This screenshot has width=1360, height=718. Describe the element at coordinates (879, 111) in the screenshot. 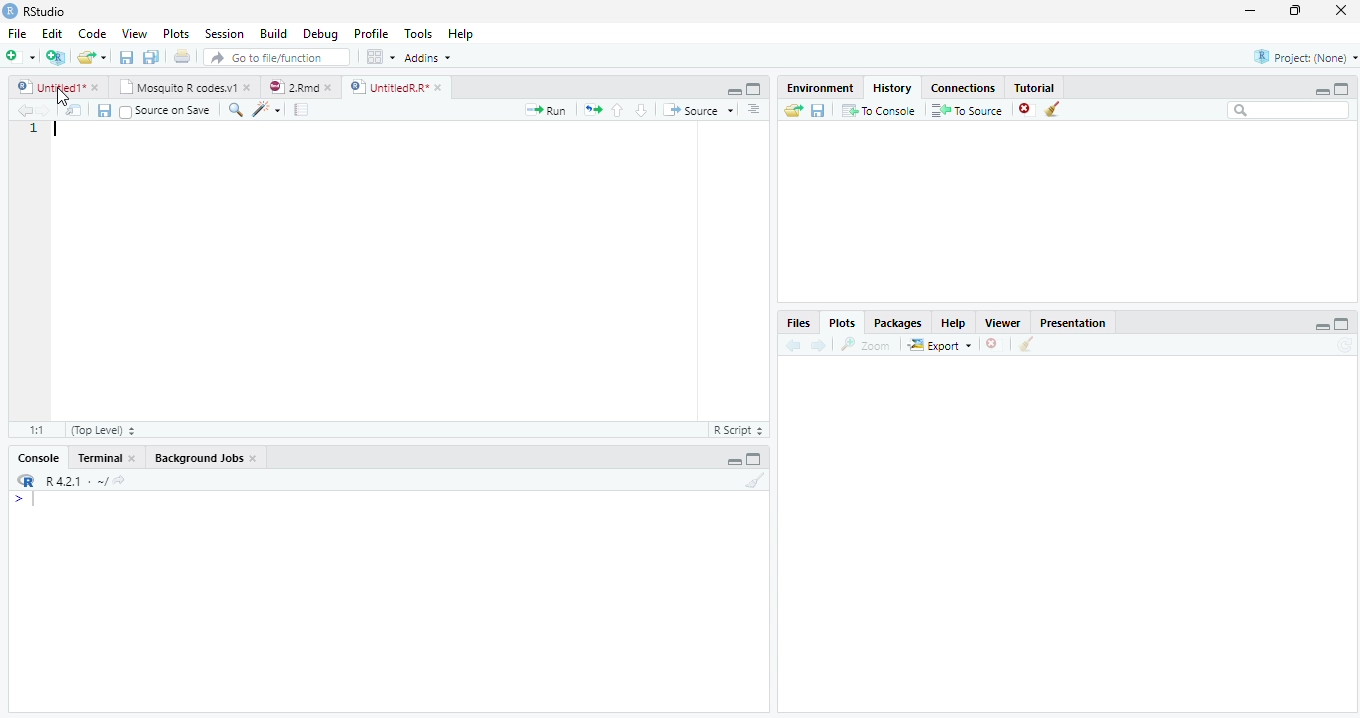

I see `To console` at that location.